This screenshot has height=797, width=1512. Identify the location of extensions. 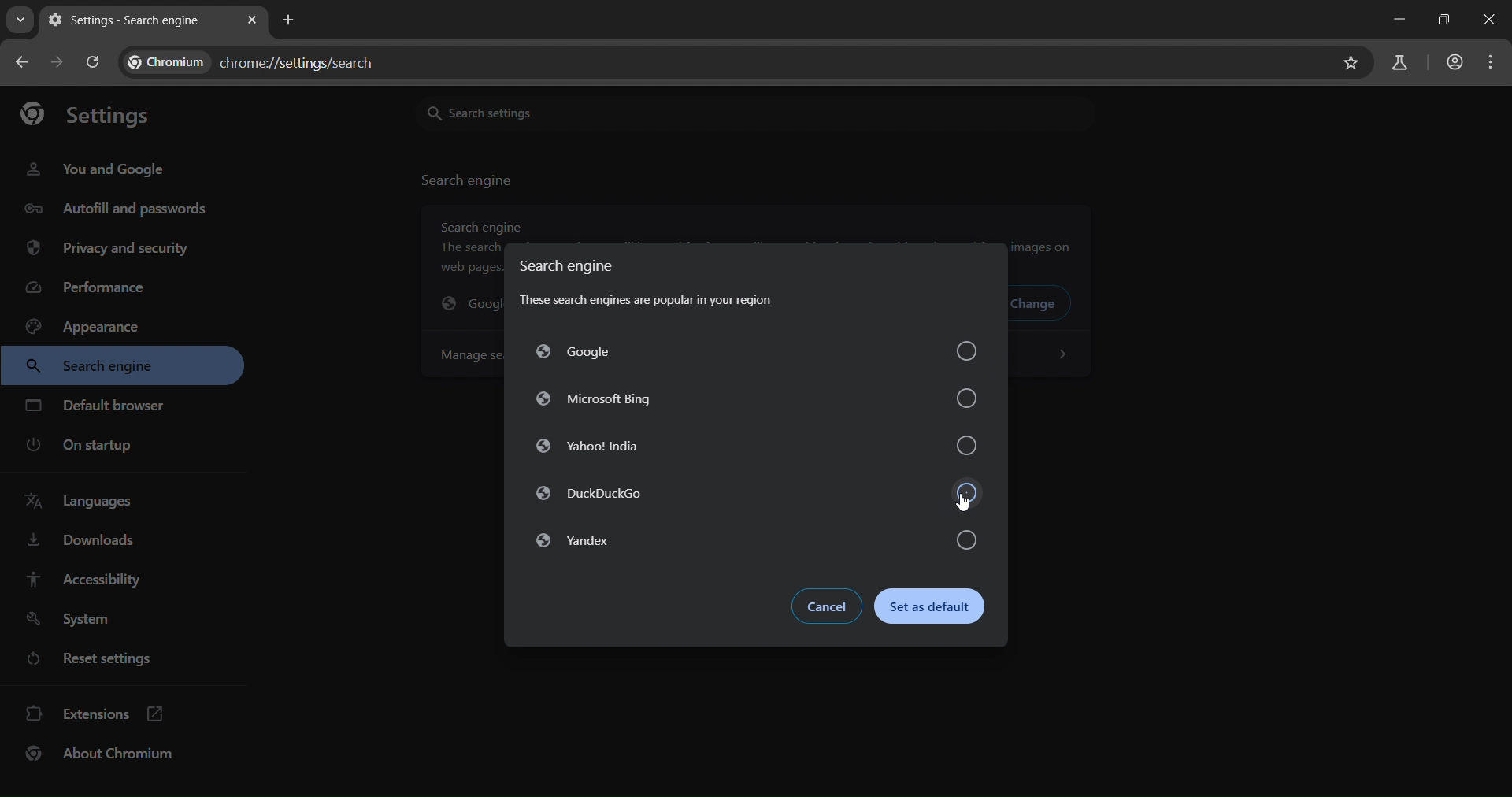
(94, 716).